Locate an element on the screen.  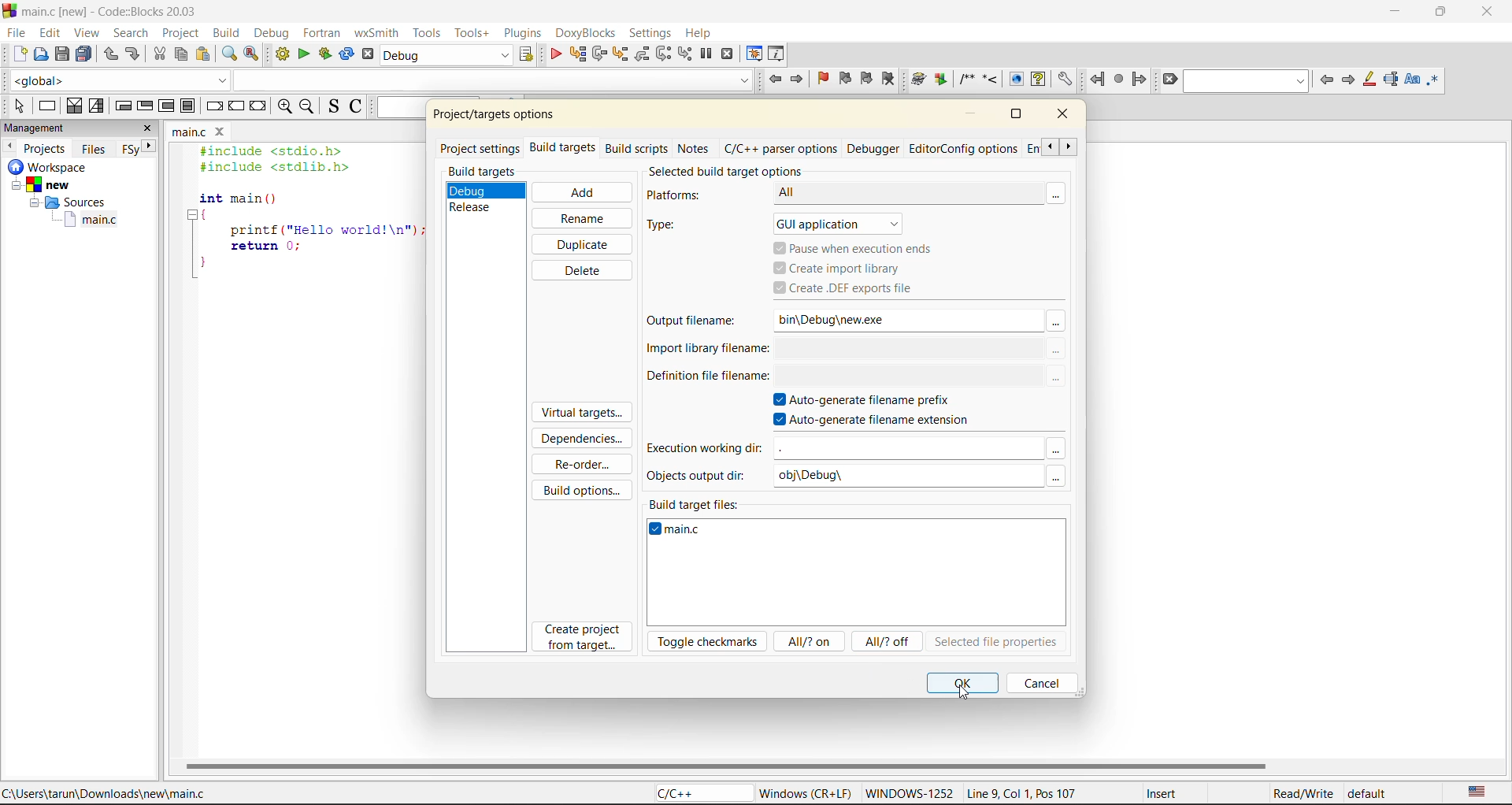
Run doxywizard is located at coordinates (918, 80).